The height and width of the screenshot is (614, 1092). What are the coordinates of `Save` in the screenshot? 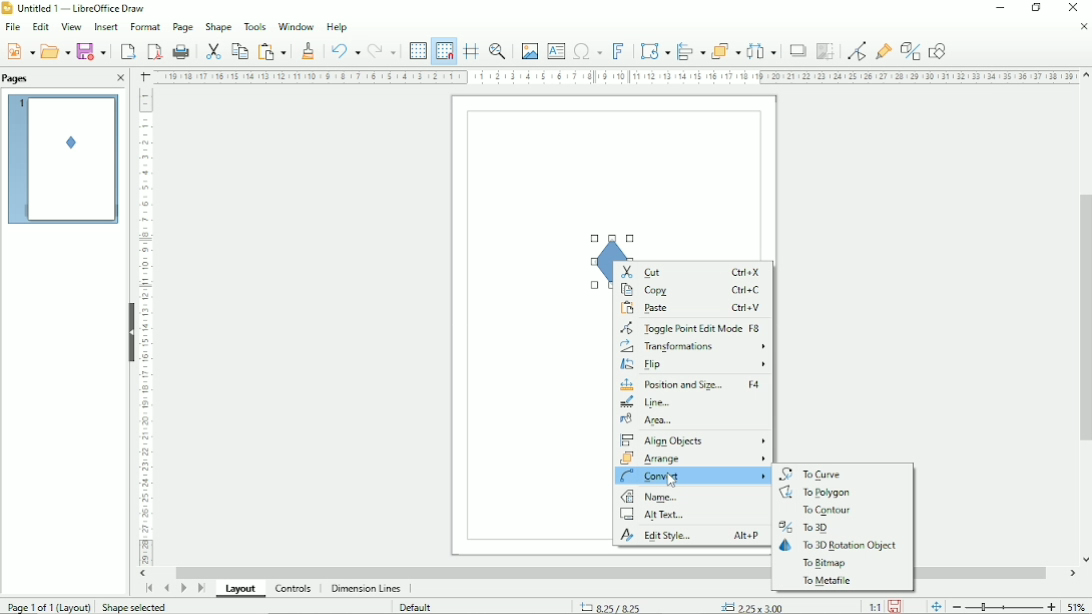 It's located at (898, 606).